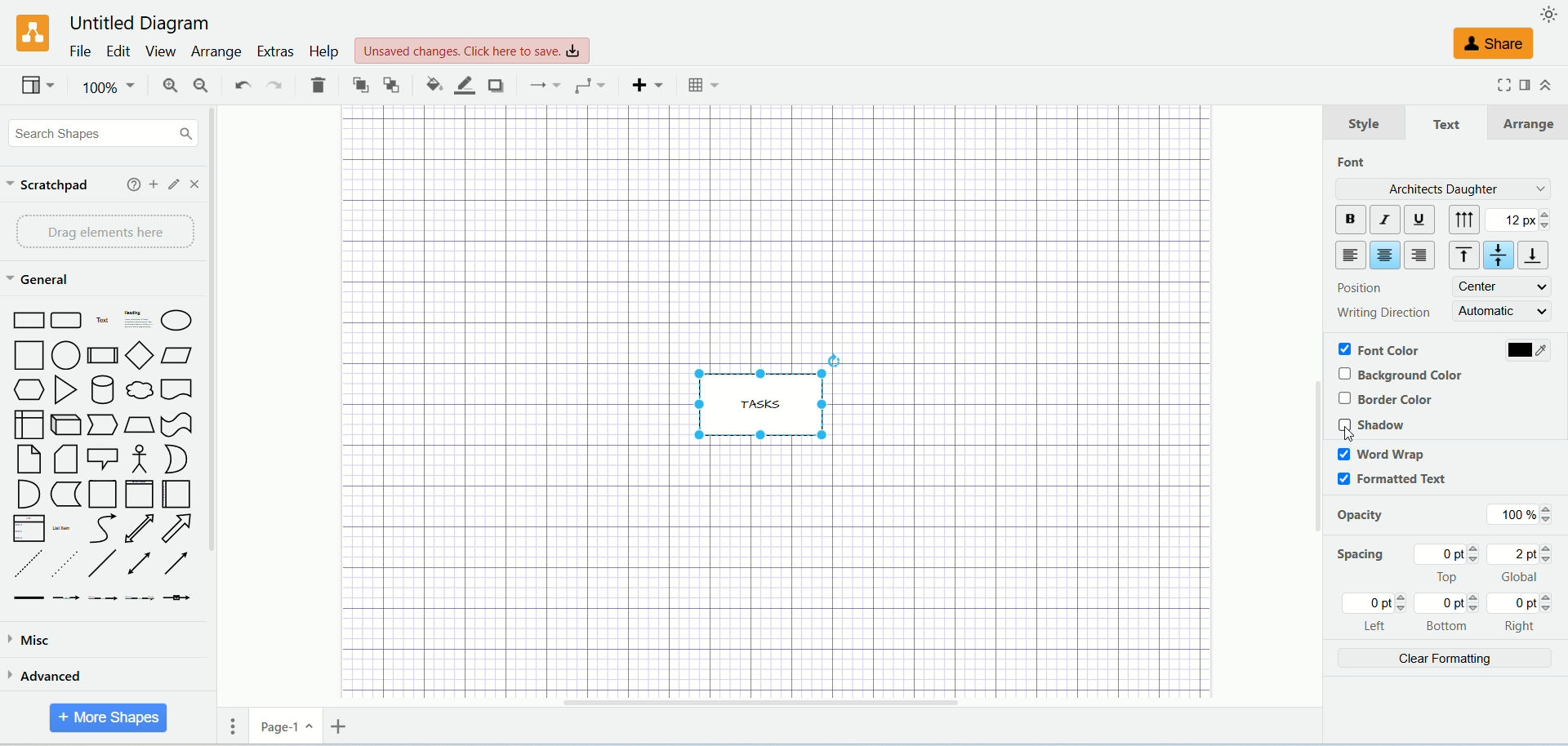  What do you see at coordinates (1443, 661) in the screenshot?
I see `Clear Formatting` at bounding box center [1443, 661].